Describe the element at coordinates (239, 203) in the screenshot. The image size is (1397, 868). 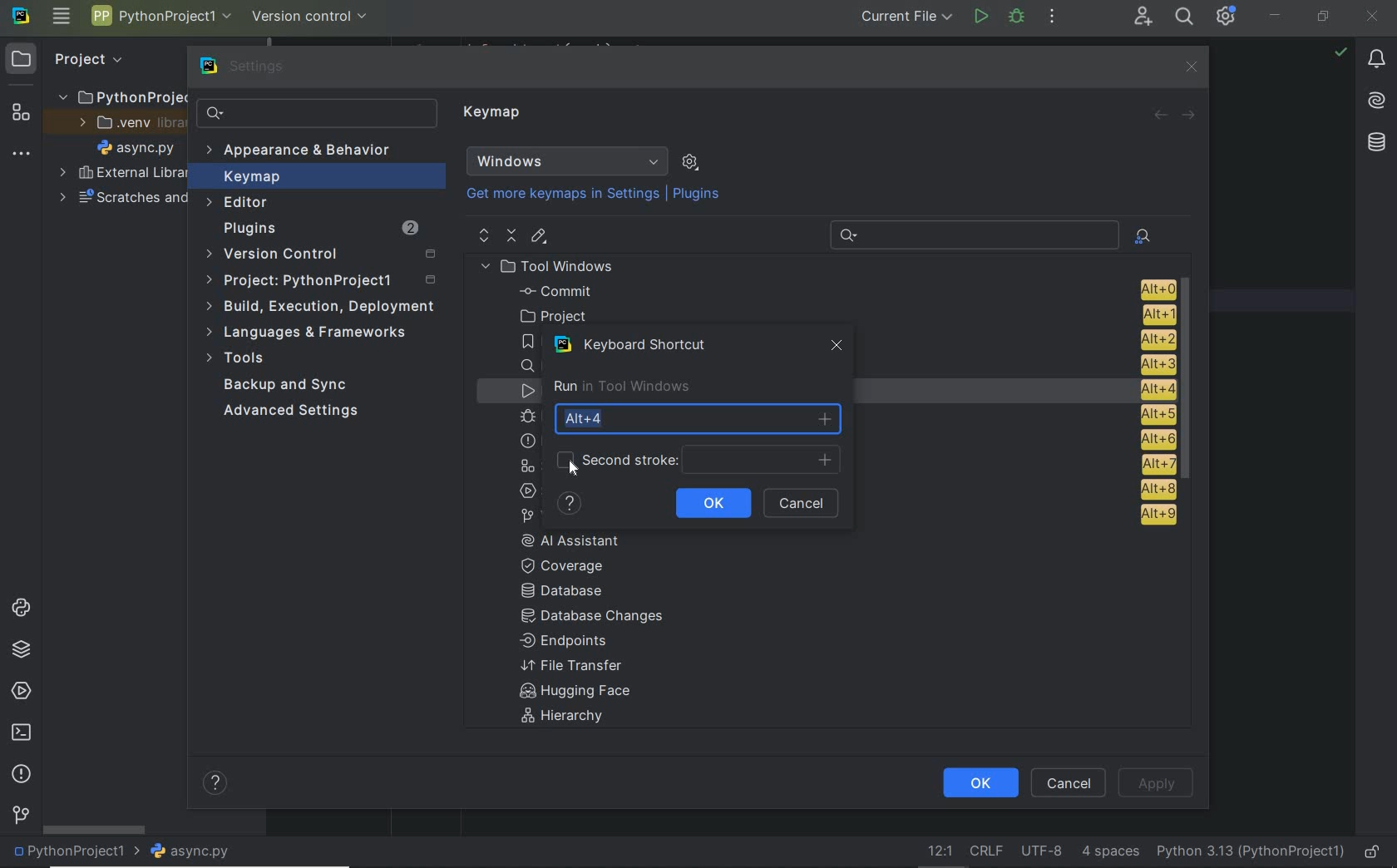
I see `Editor` at that location.